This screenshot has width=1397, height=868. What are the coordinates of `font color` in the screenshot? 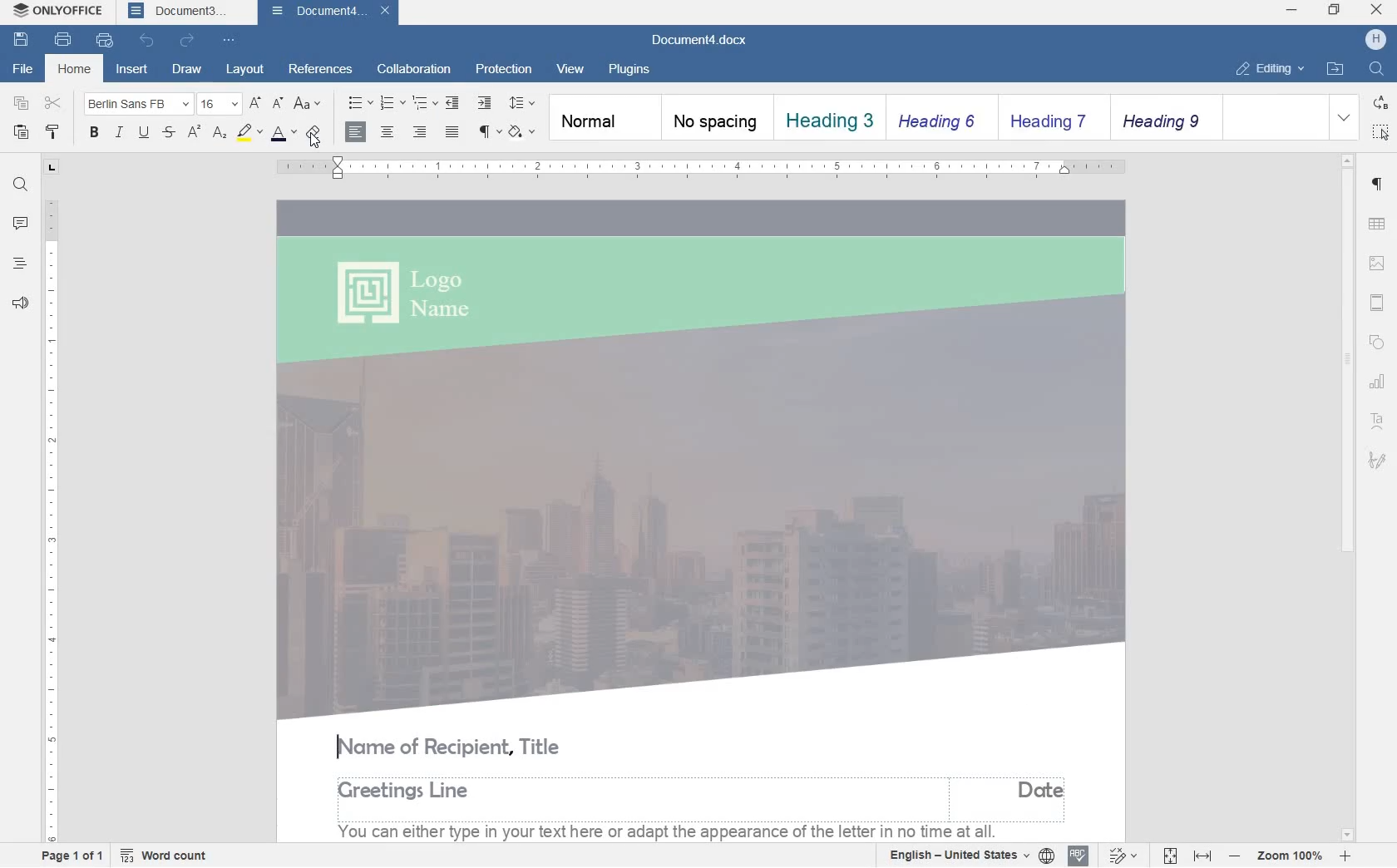 It's located at (284, 134).